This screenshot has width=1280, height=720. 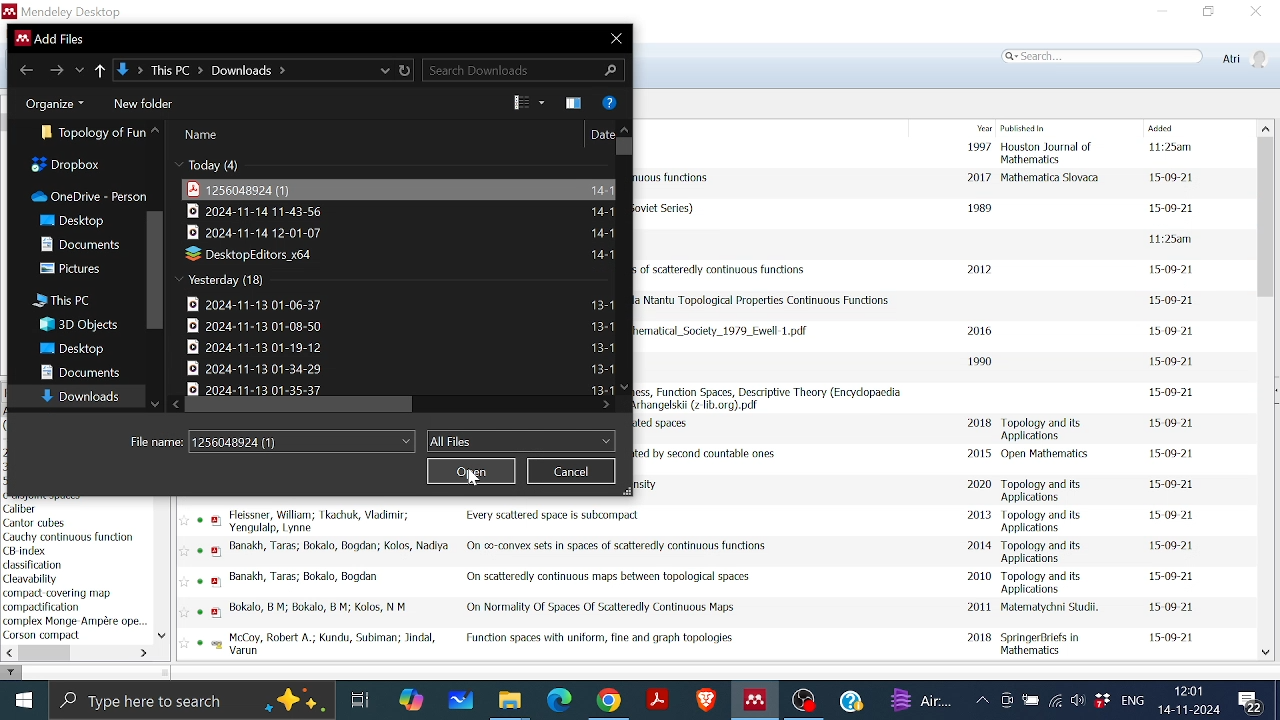 What do you see at coordinates (256, 368) in the screenshot?
I see `File` at bounding box center [256, 368].